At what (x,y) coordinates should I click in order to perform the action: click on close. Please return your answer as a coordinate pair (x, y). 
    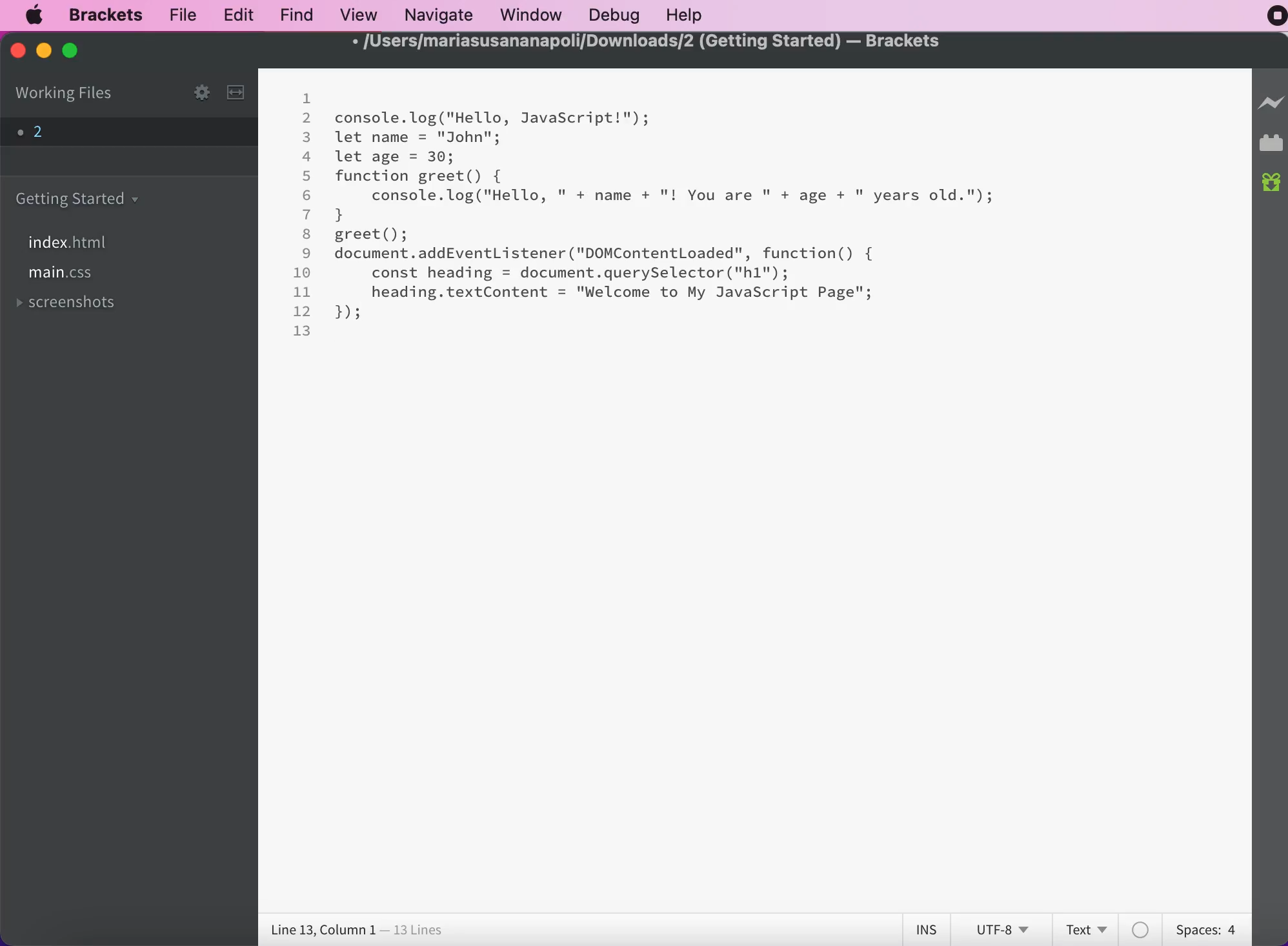
    Looking at the image, I should click on (14, 52).